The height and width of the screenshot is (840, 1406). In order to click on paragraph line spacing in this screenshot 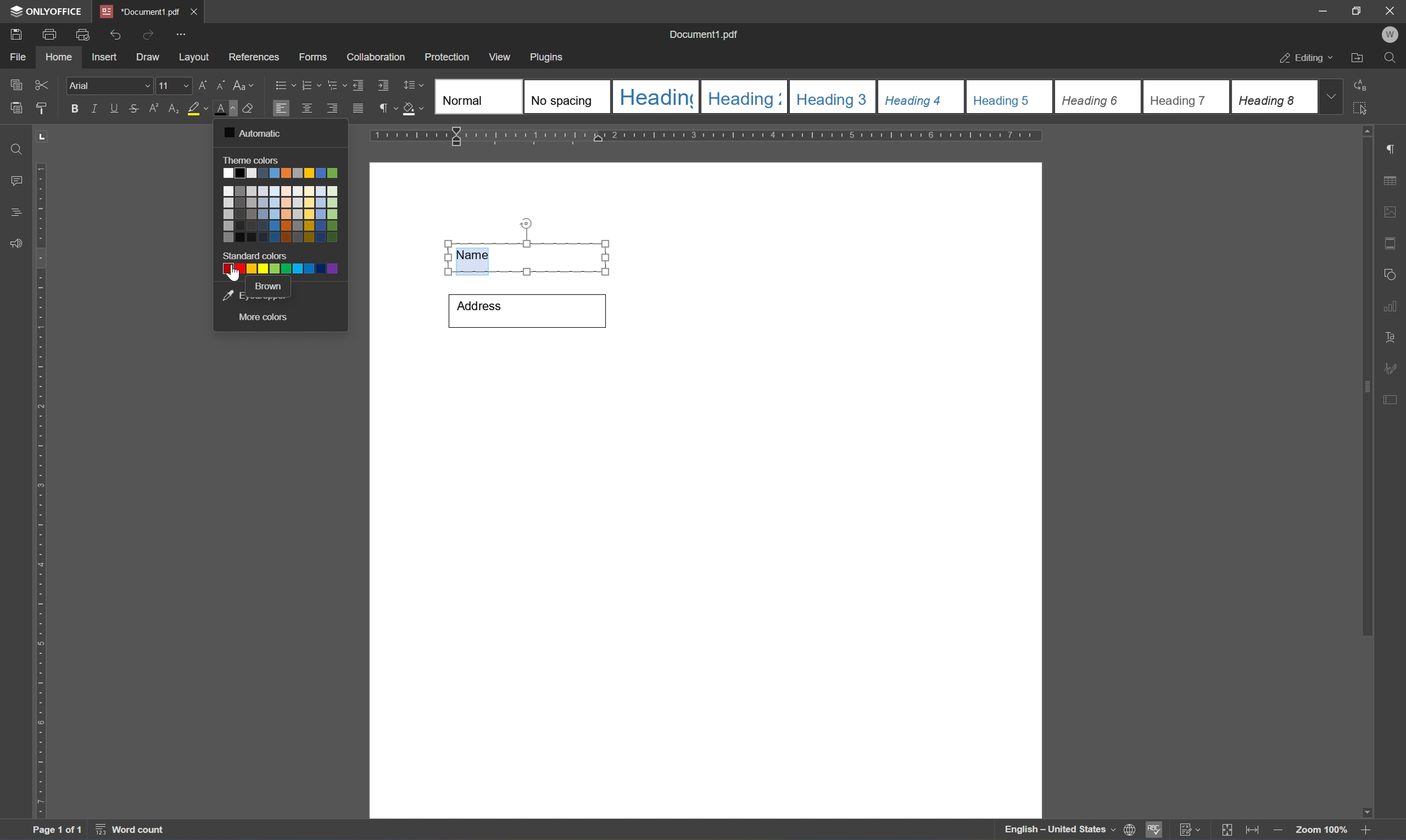, I will do `click(416, 85)`.